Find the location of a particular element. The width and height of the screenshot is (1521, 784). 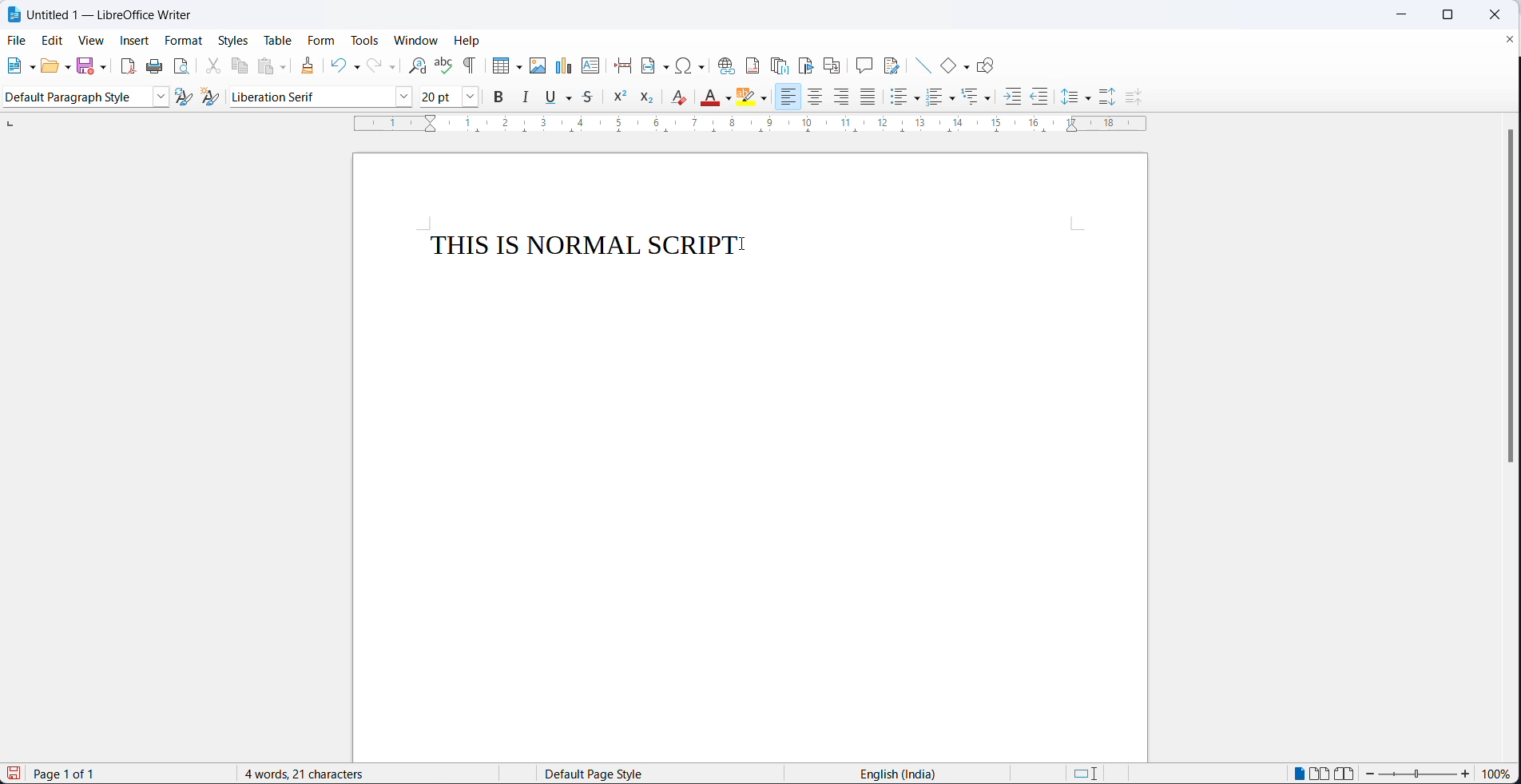

underline options is located at coordinates (573, 97).